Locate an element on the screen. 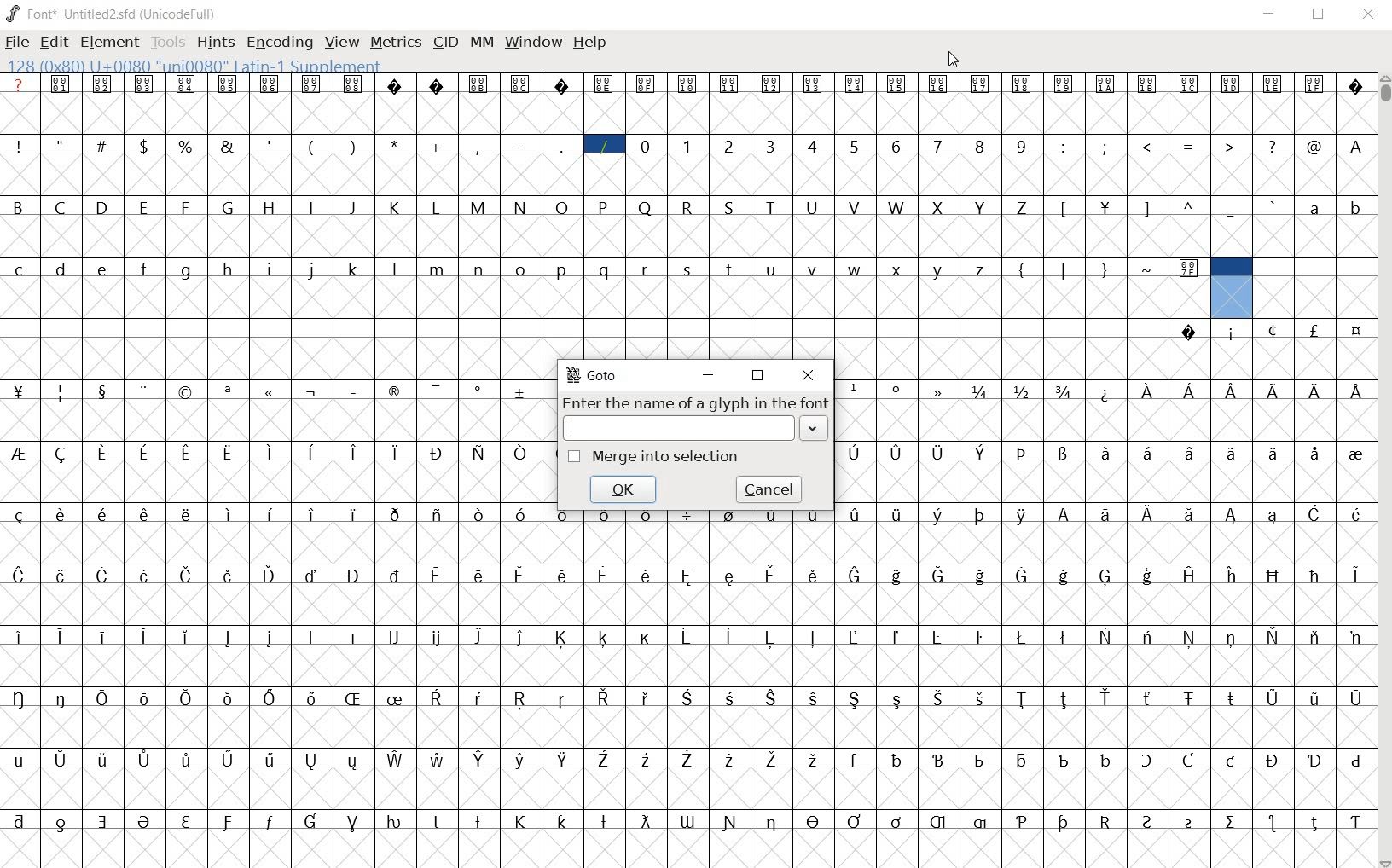 The width and height of the screenshot is (1392, 868). @ is located at coordinates (1317, 147).